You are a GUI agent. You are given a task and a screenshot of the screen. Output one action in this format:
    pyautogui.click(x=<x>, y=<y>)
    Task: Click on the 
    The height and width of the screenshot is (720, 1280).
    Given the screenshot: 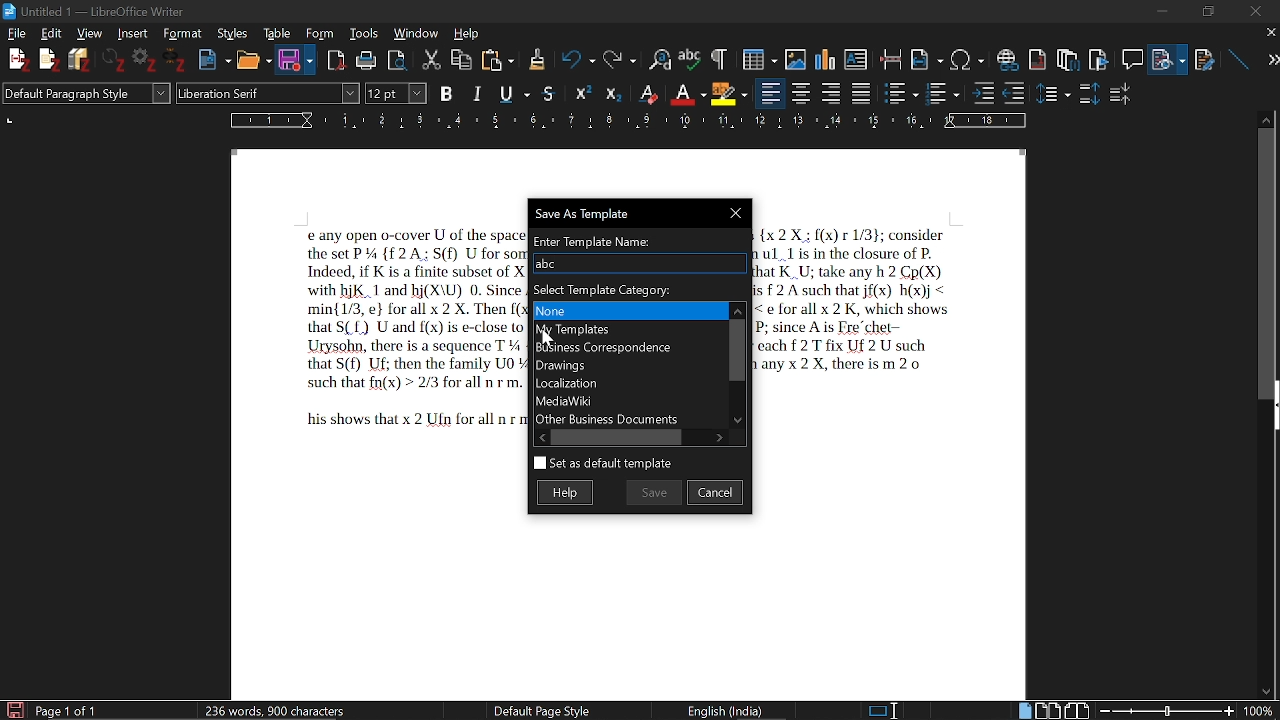 What is the action you would take?
    pyautogui.click(x=116, y=61)
    